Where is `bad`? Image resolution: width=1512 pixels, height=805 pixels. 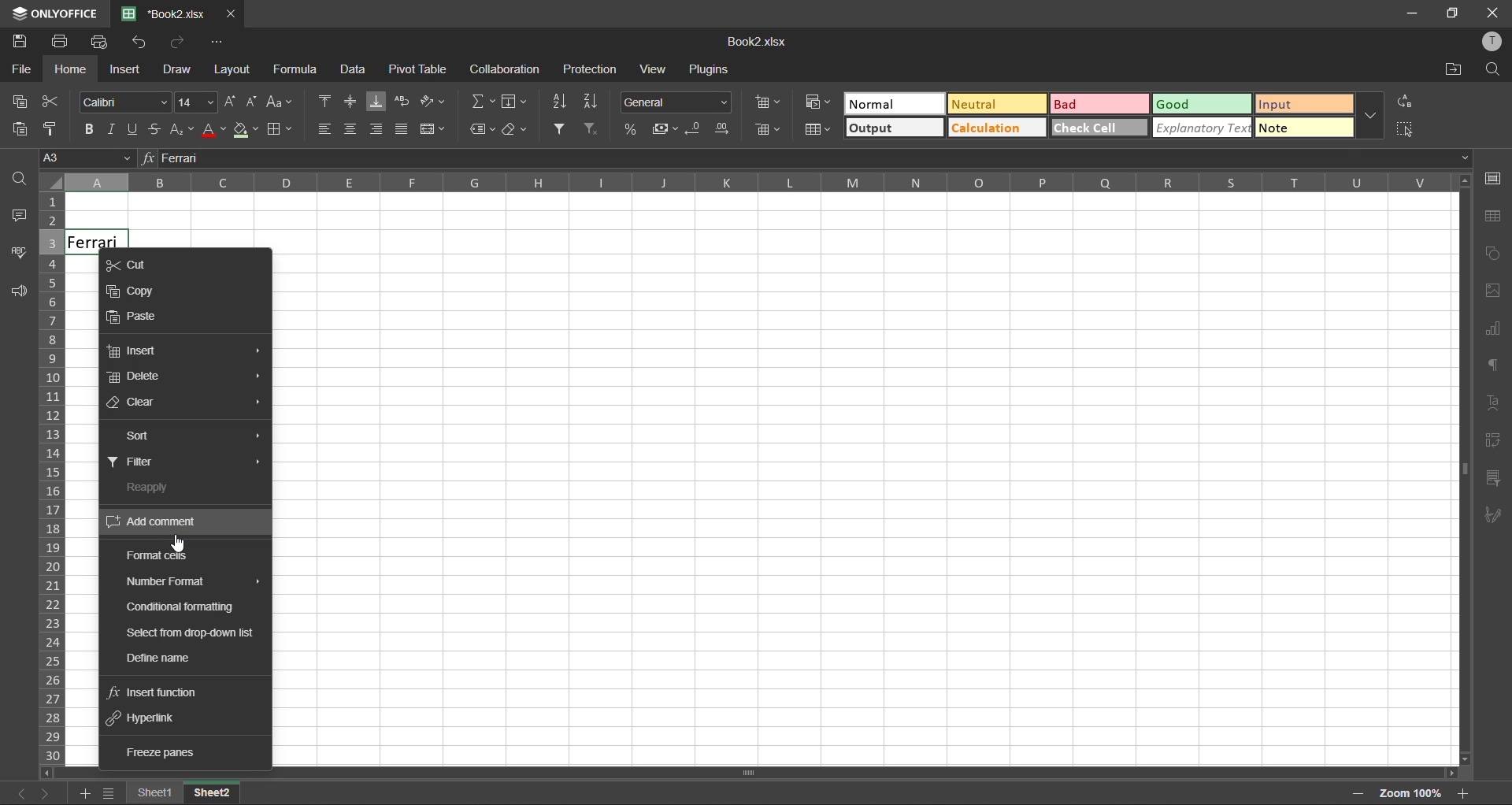
bad is located at coordinates (1089, 103).